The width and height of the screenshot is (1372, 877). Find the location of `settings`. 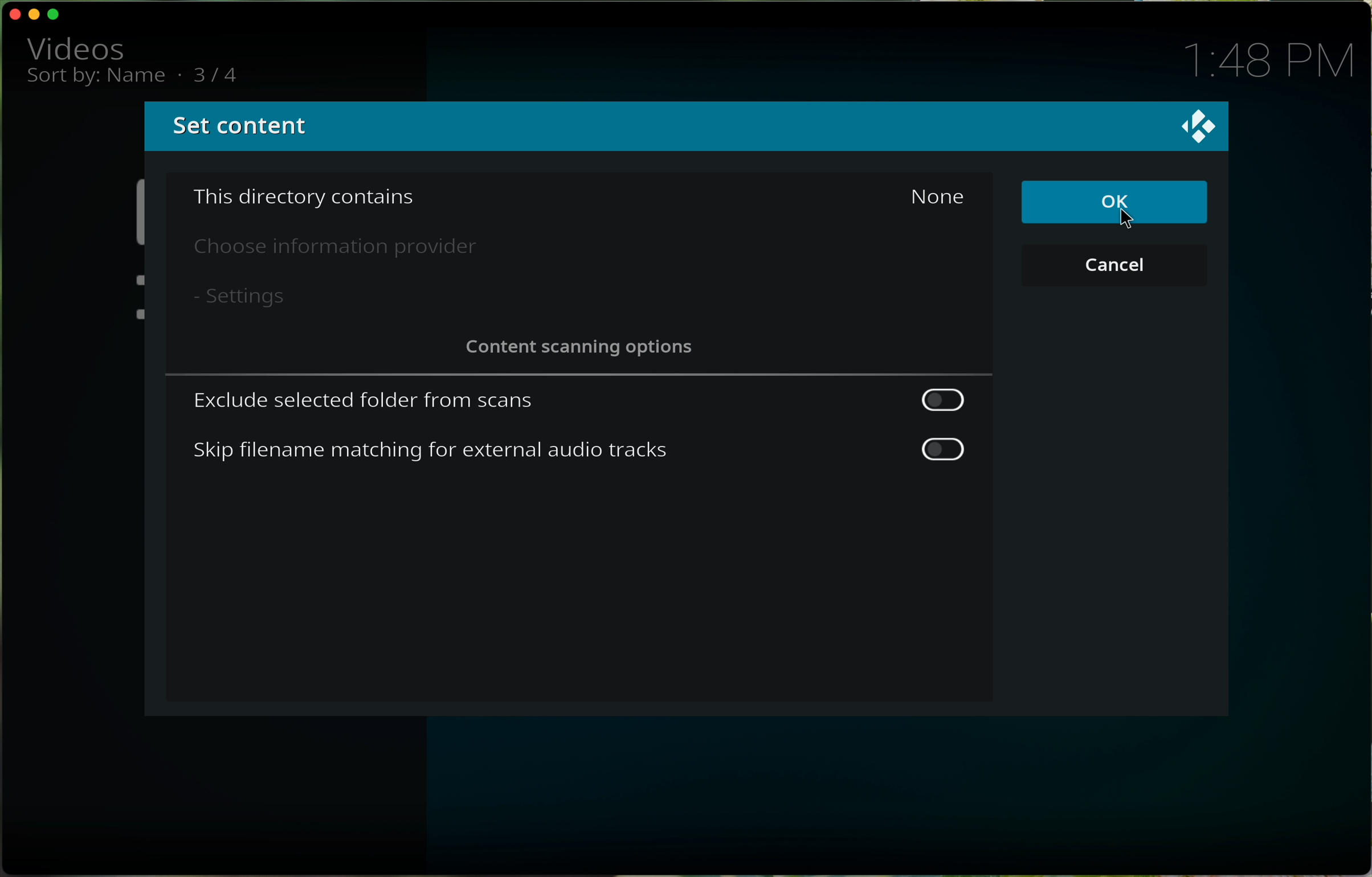

settings is located at coordinates (242, 300).